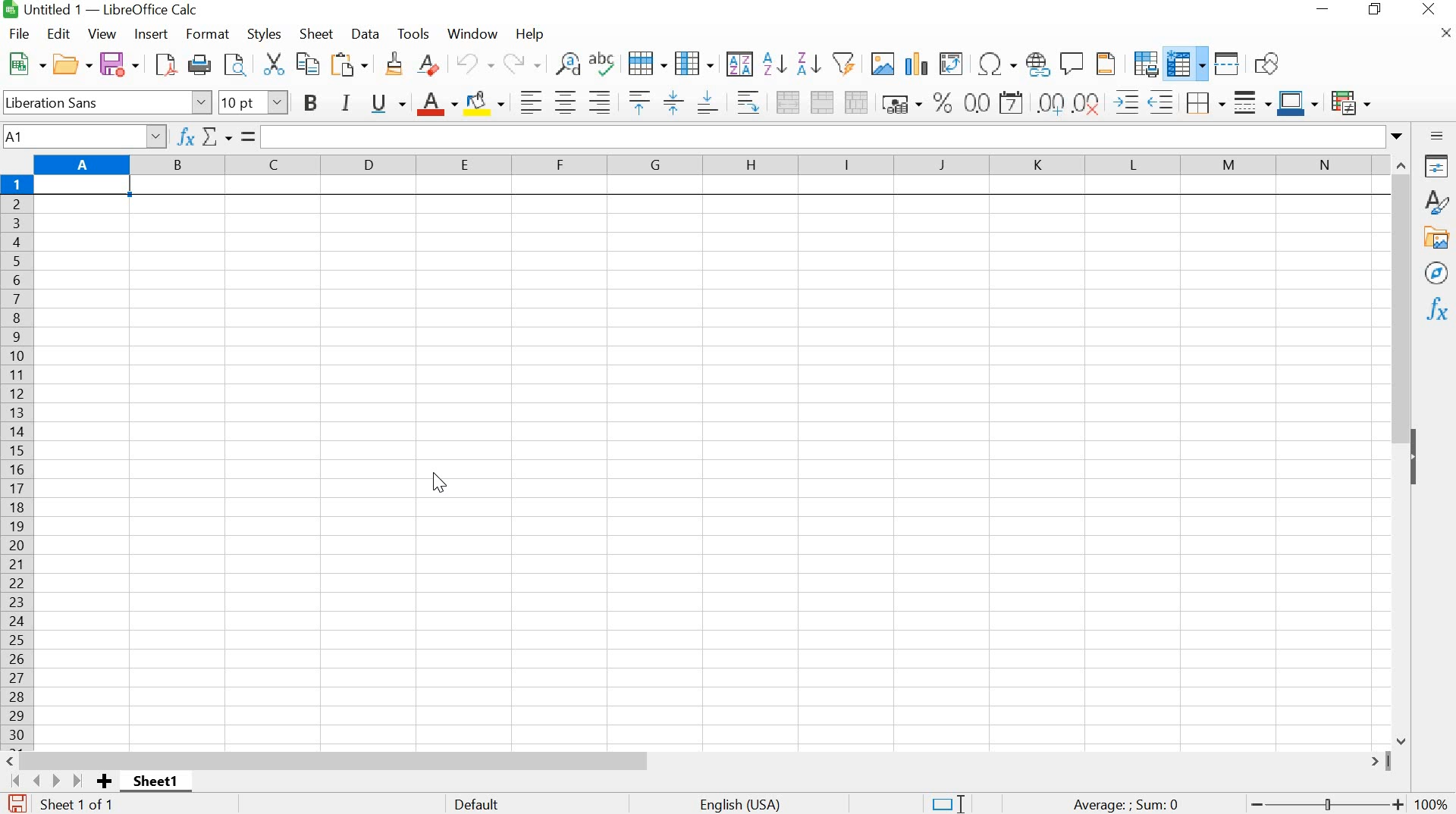  I want to click on SORT, so click(739, 64).